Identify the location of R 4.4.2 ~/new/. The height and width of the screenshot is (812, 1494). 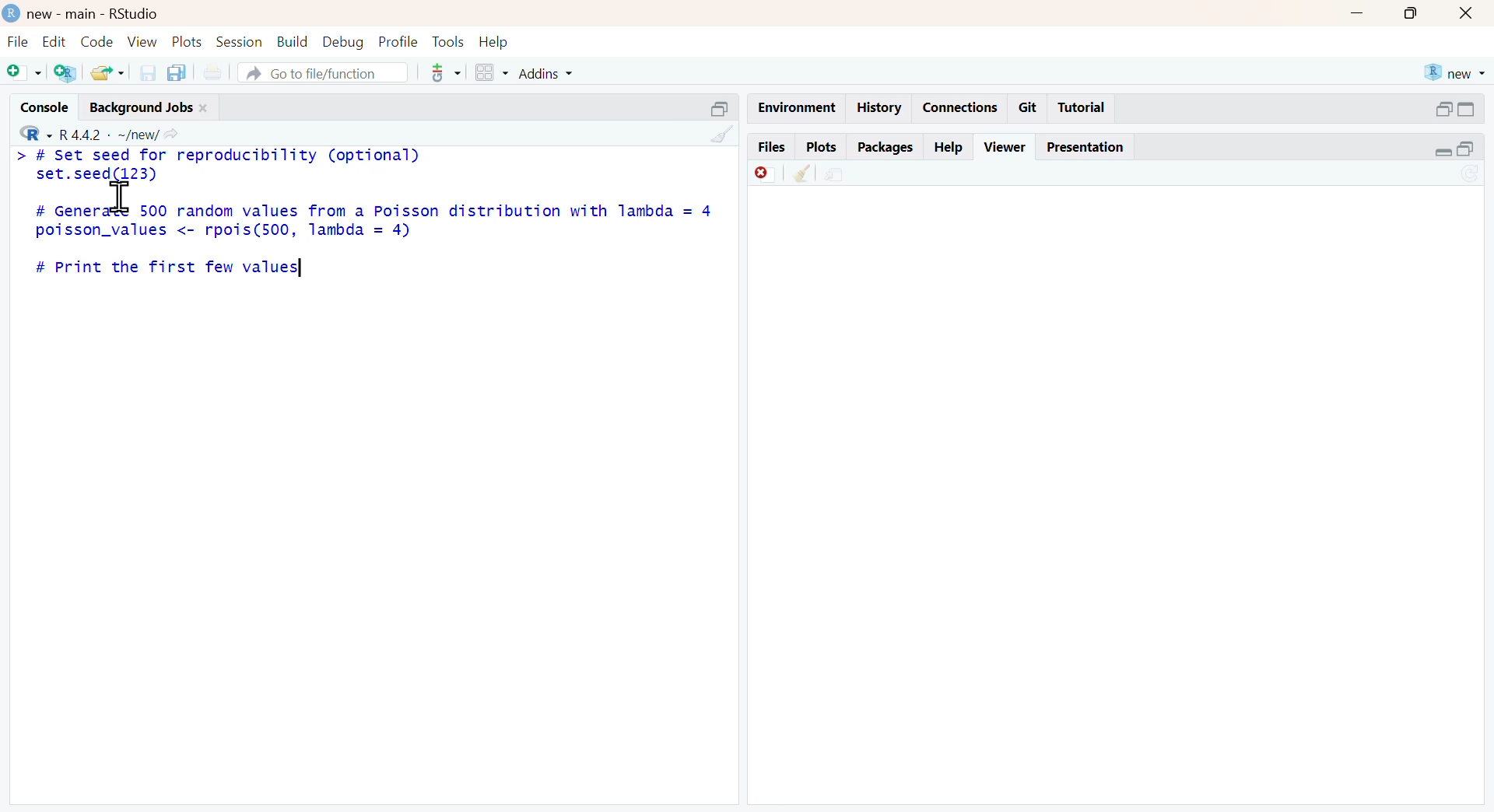
(110, 135).